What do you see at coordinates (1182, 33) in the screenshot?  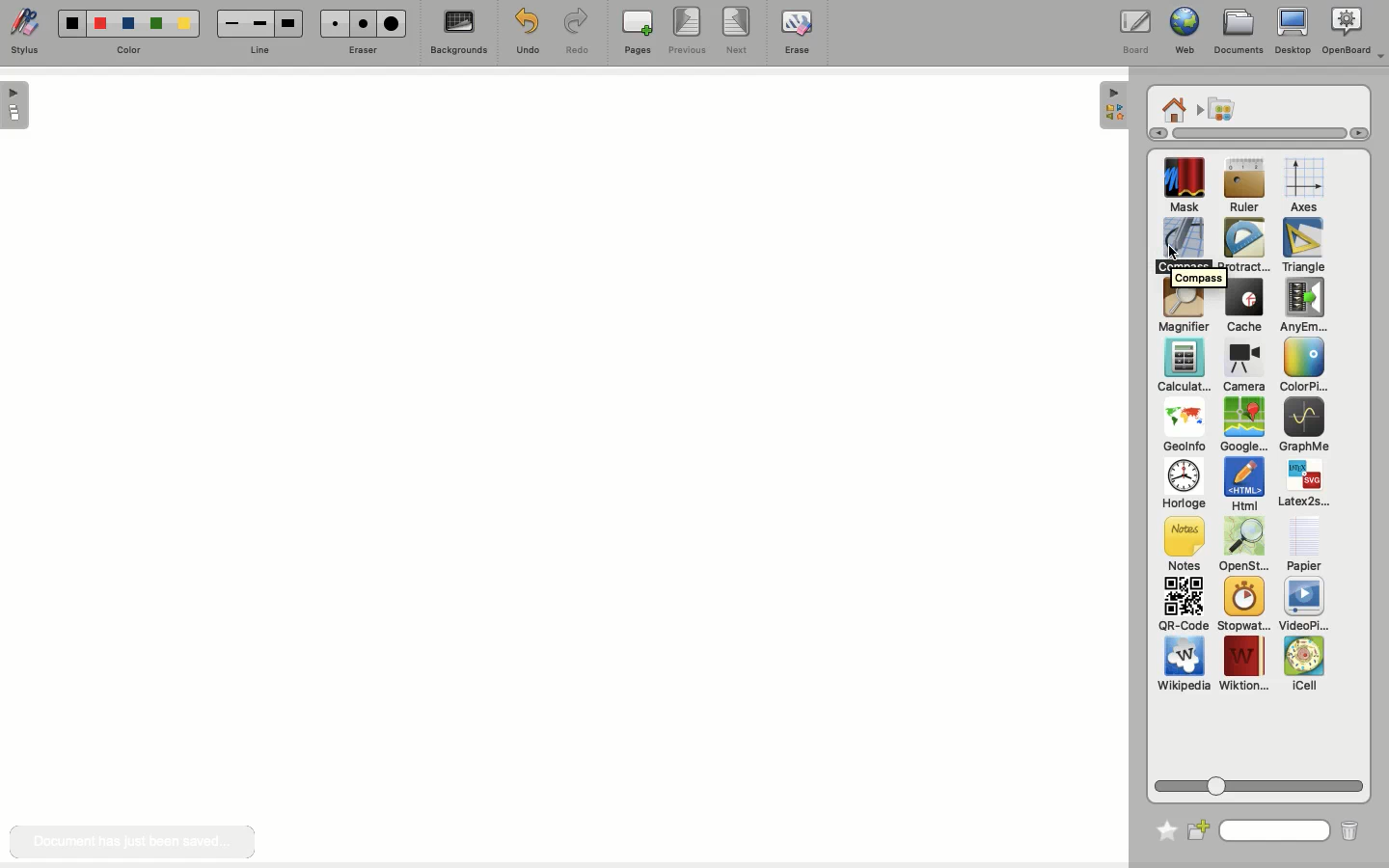 I see `Web` at bounding box center [1182, 33].